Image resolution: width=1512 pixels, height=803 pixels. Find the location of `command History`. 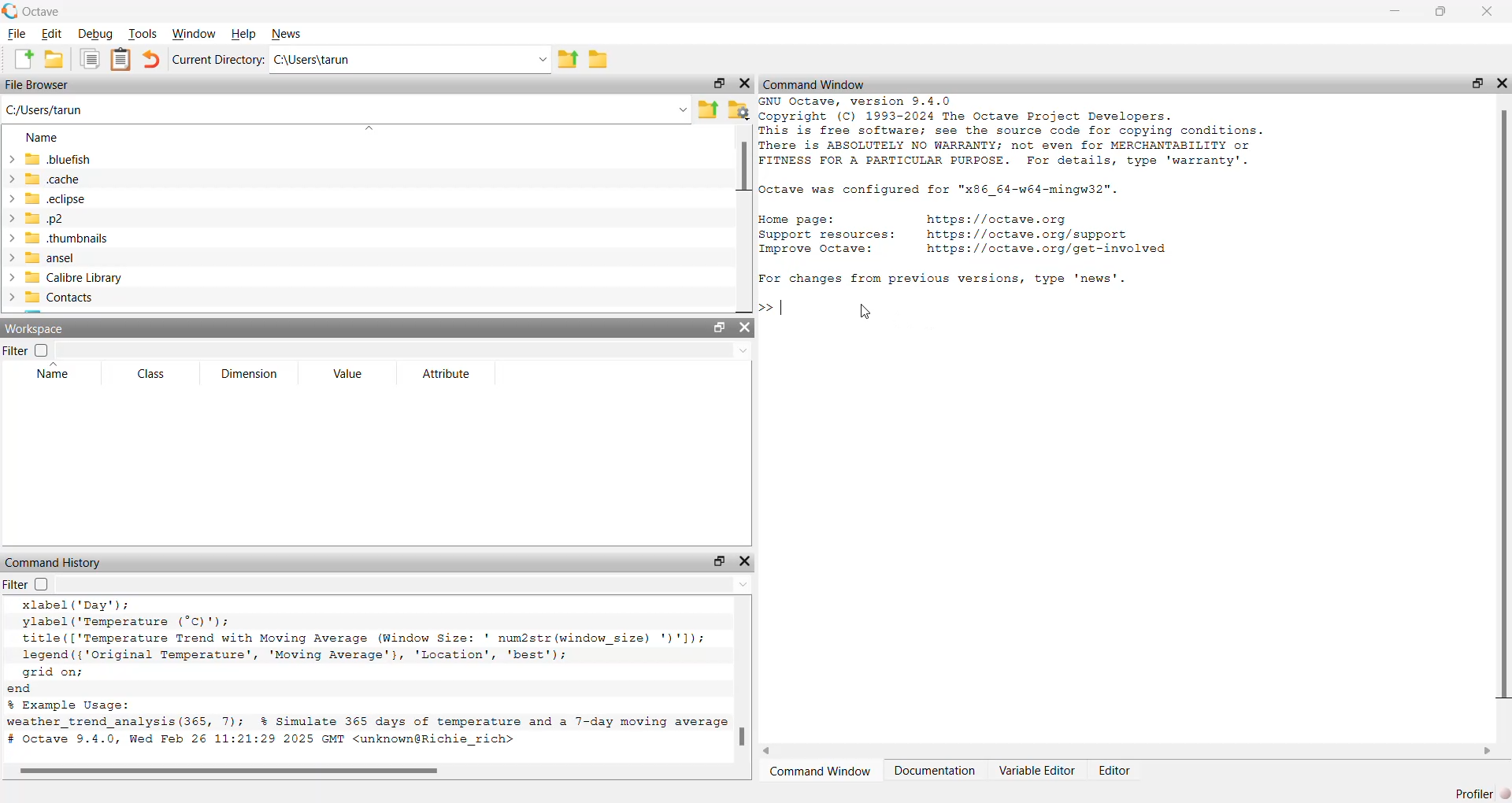

command History is located at coordinates (56, 563).